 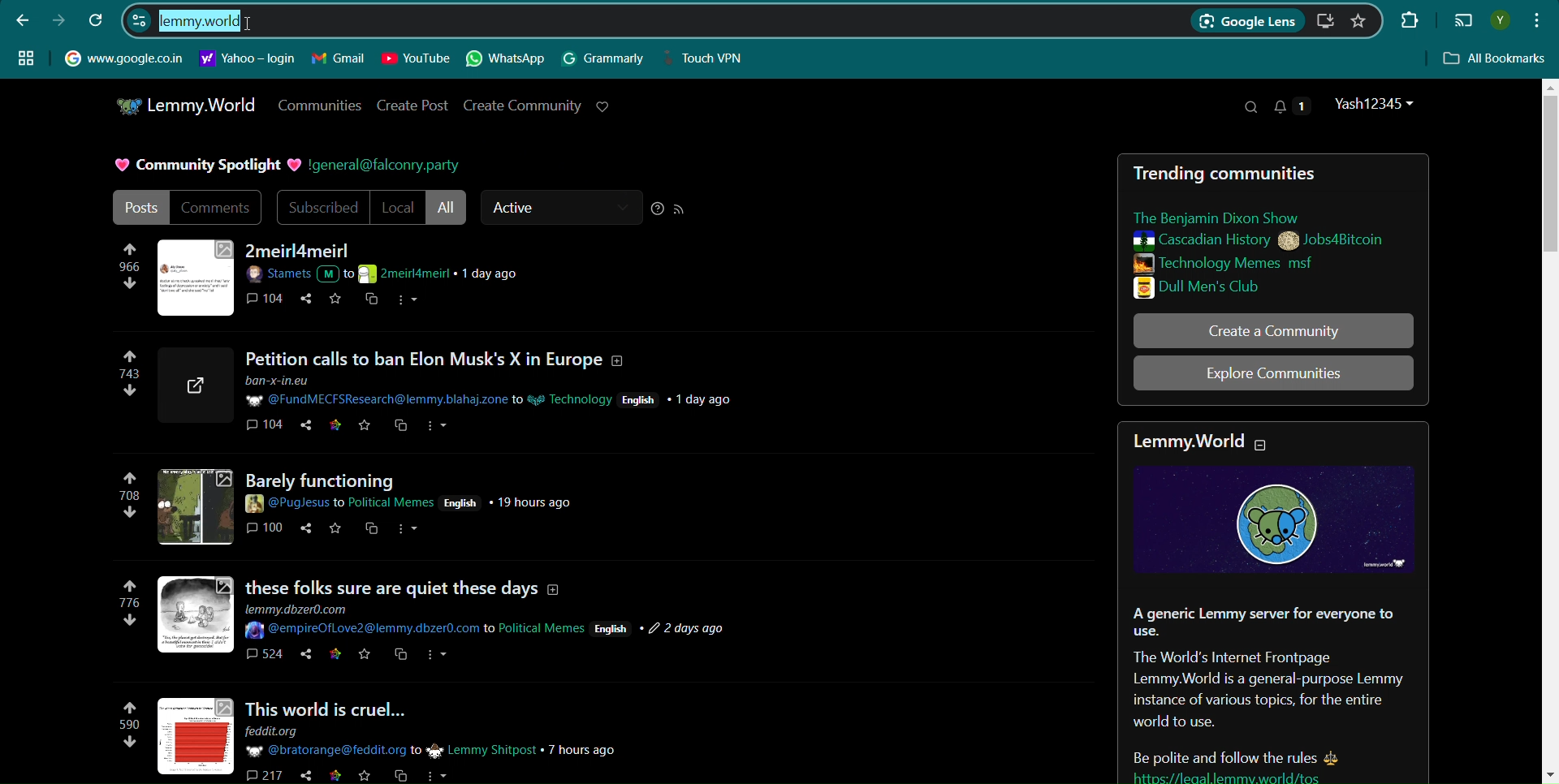 What do you see at coordinates (267, 300) in the screenshot?
I see `104` at bounding box center [267, 300].